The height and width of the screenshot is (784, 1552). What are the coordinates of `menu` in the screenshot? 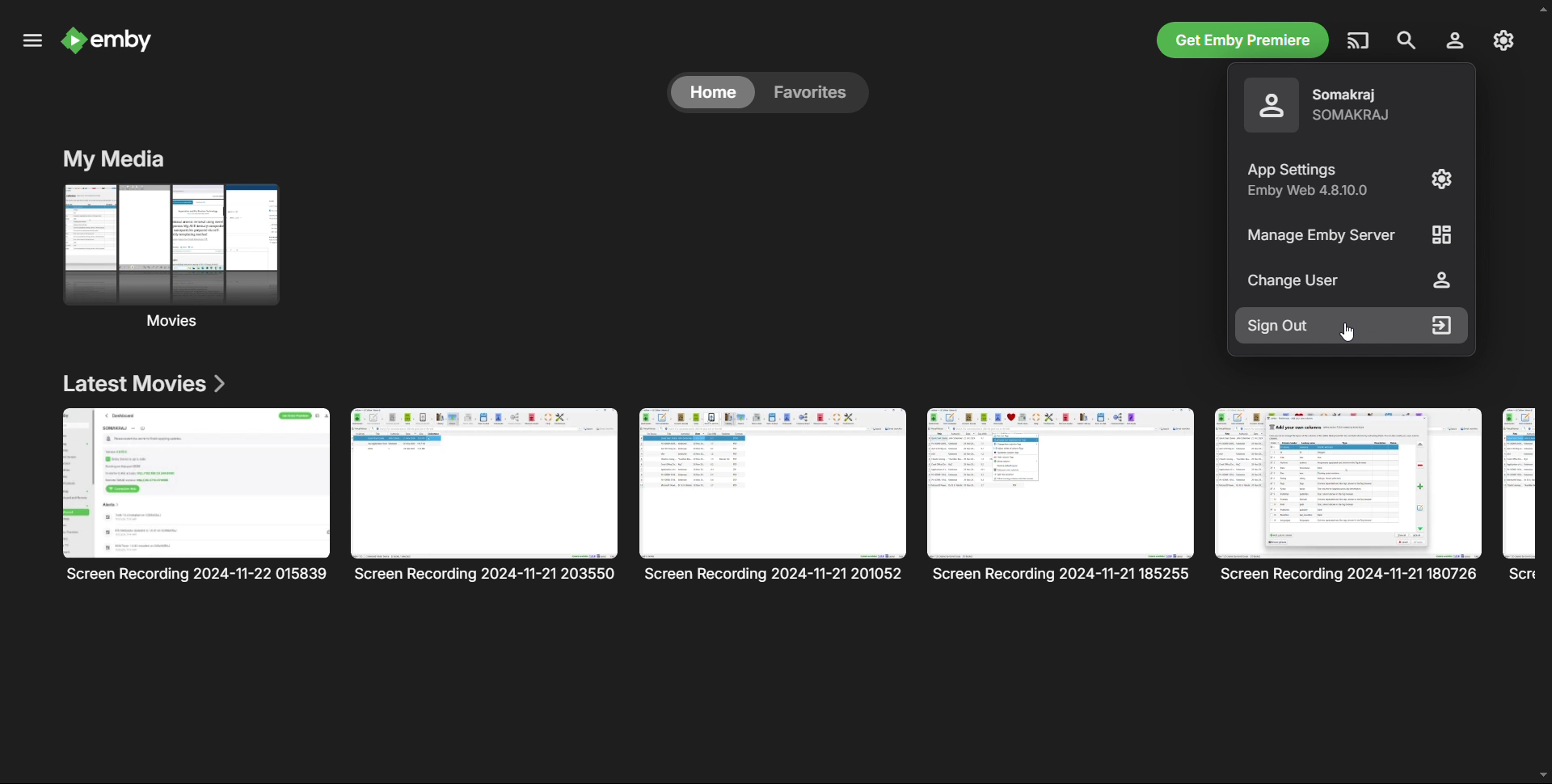 It's located at (32, 41).